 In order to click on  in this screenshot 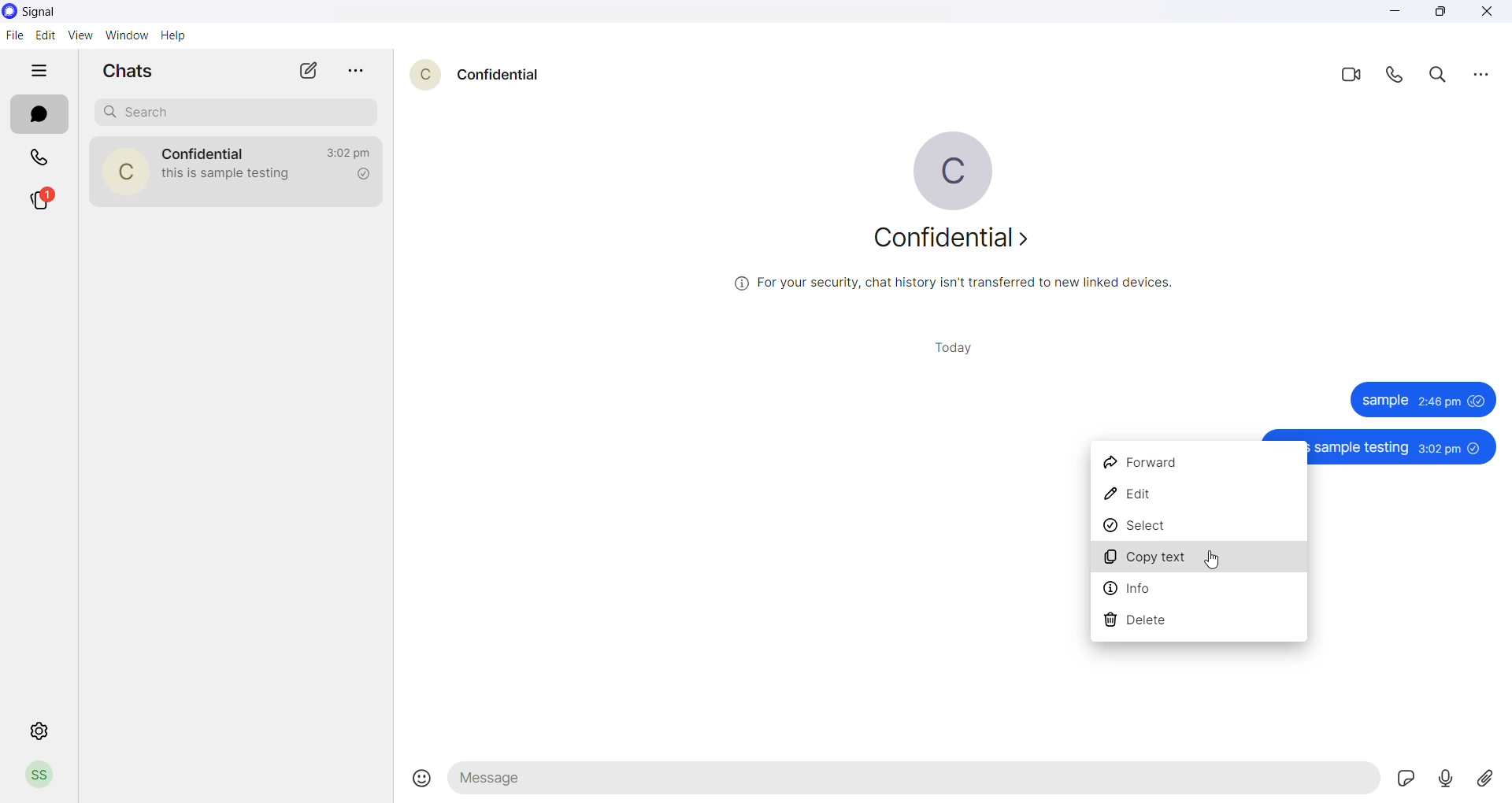, I will do `click(1403, 446)`.